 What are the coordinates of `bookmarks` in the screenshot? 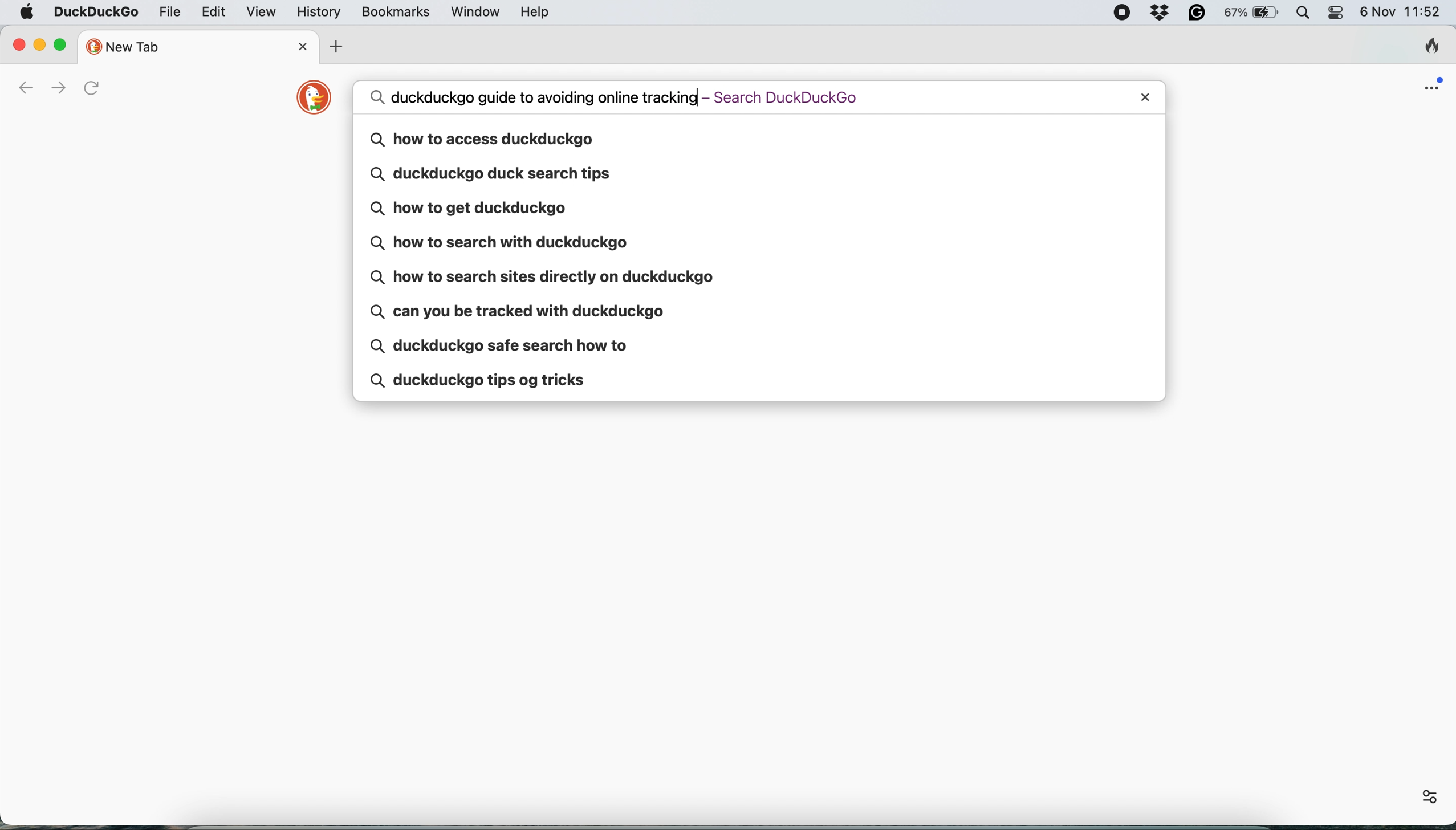 It's located at (393, 12).